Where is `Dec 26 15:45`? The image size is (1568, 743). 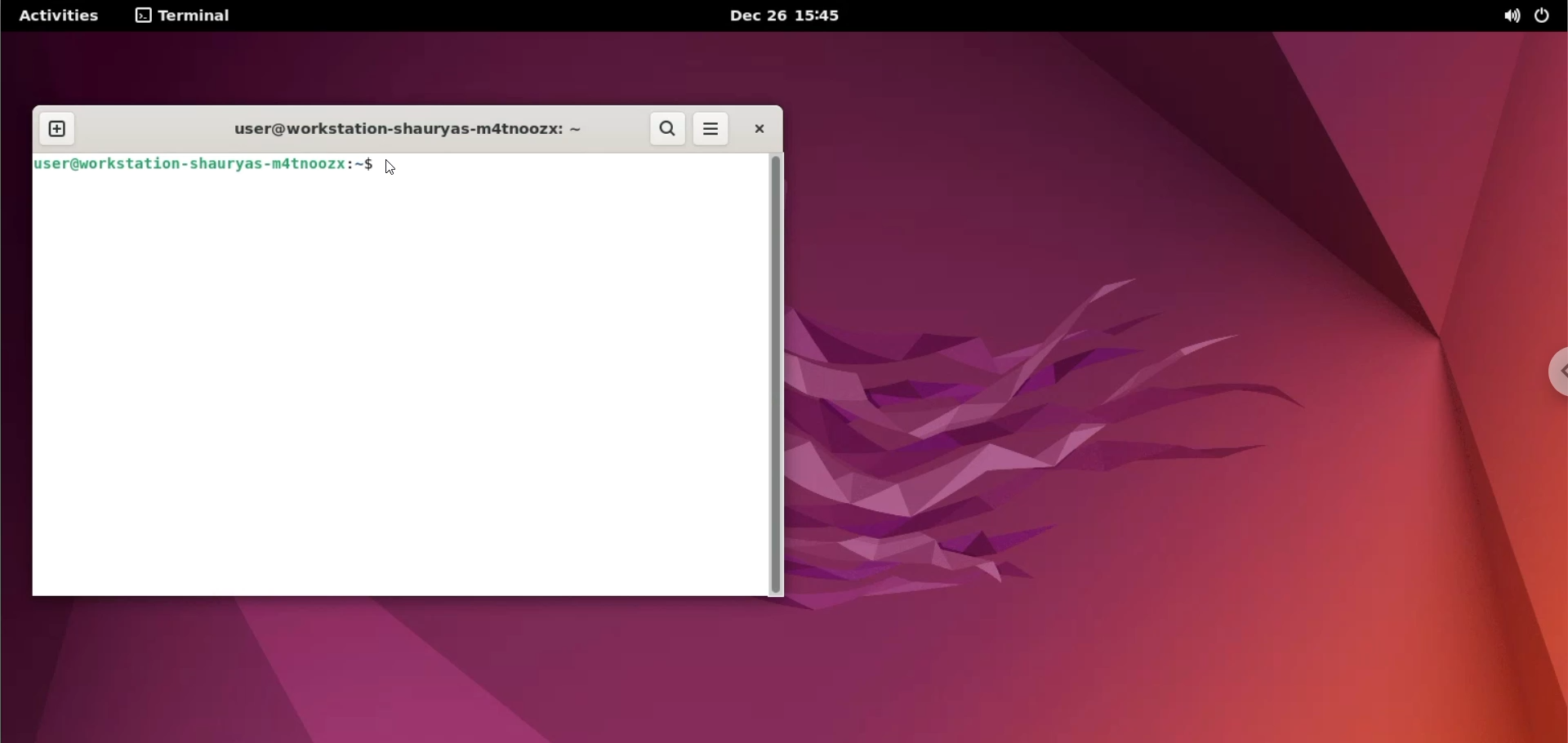 Dec 26 15:45 is located at coordinates (782, 17).